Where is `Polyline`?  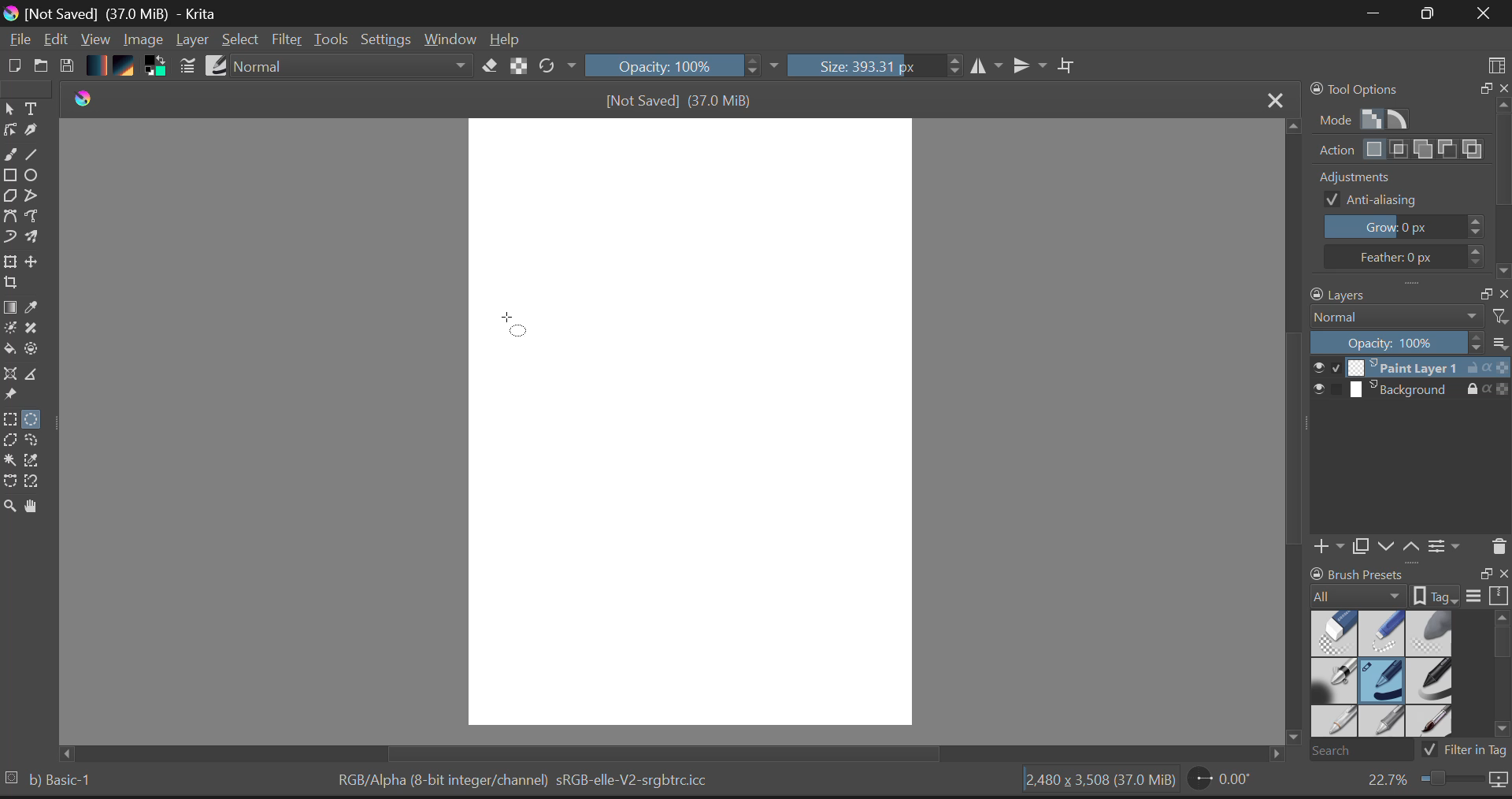 Polyline is located at coordinates (35, 199).